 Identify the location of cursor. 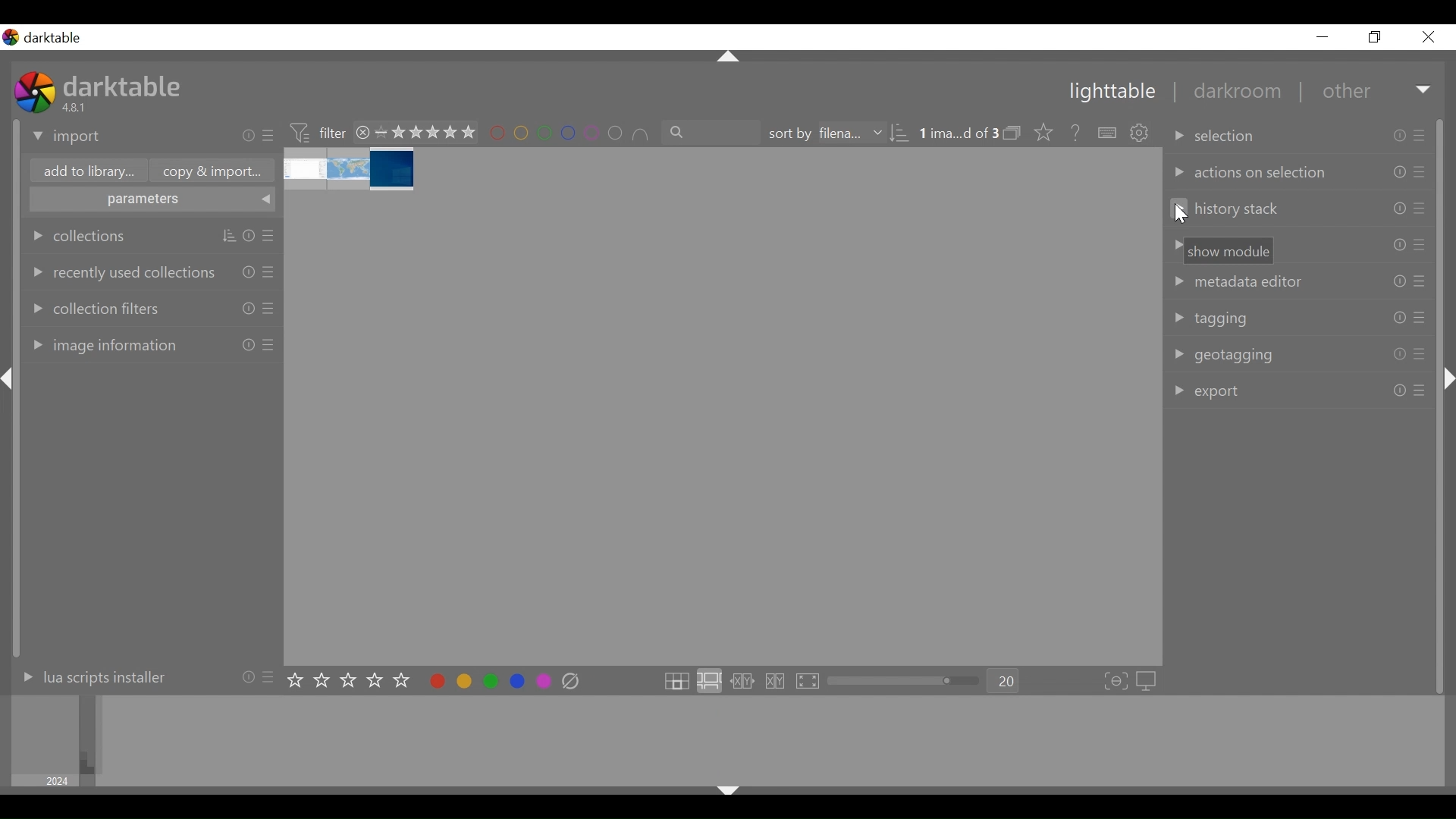
(1183, 215).